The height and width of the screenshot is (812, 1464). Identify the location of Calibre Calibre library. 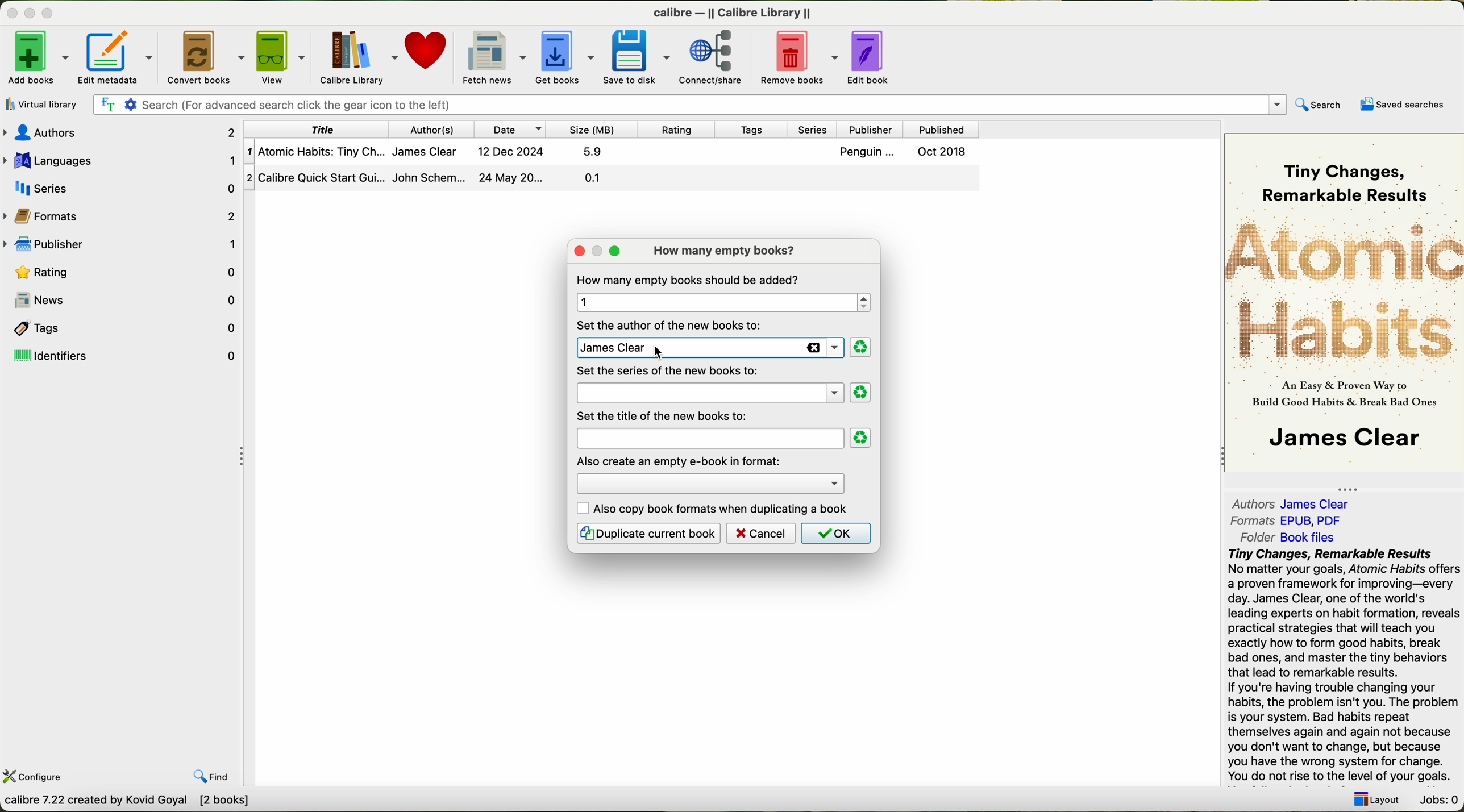
(737, 11).